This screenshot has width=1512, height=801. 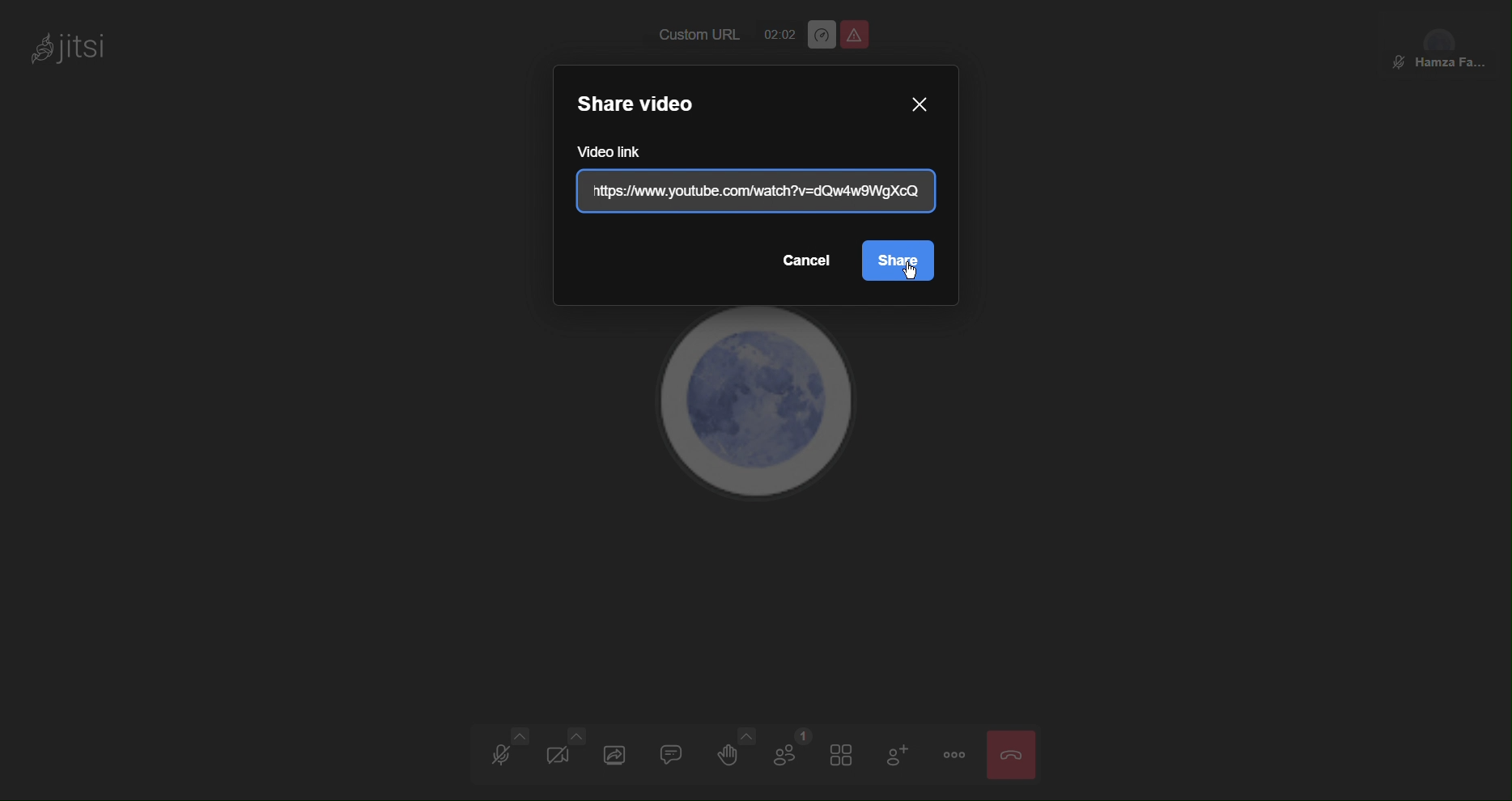 What do you see at coordinates (777, 34) in the screenshot?
I see `TImer` at bounding box center [777, 34].